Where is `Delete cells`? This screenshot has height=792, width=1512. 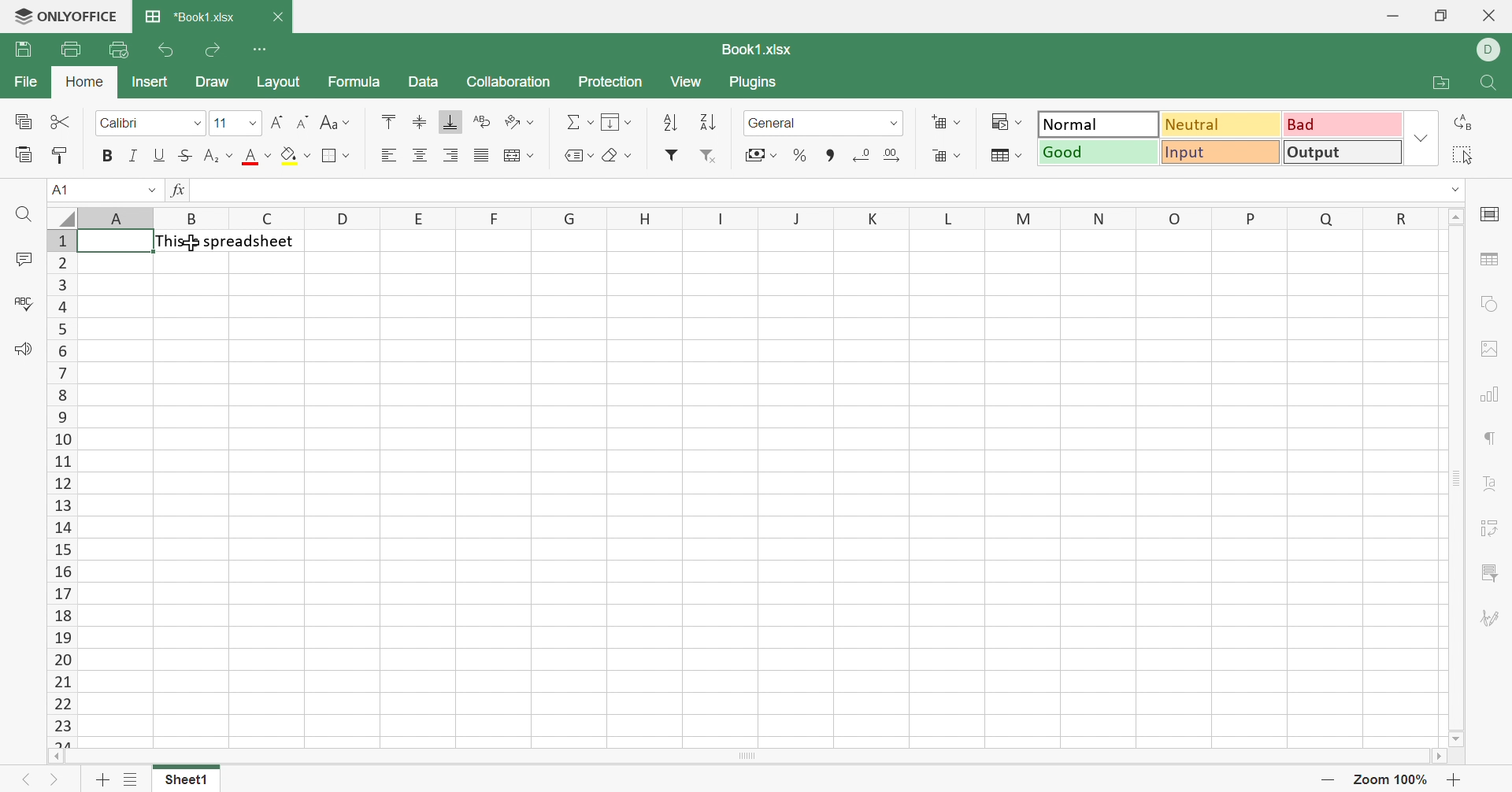
Delete cells is located at coordinates (939, 153).